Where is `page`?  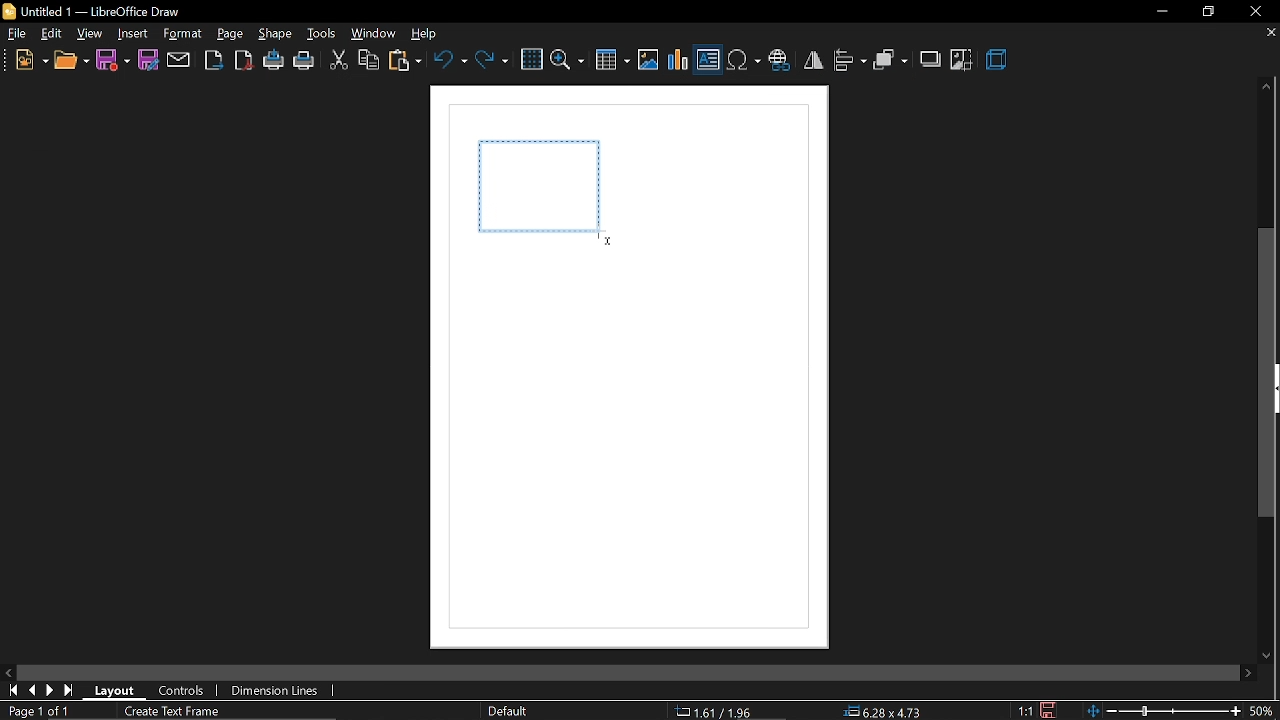 page is located at coordinates (230, 34).